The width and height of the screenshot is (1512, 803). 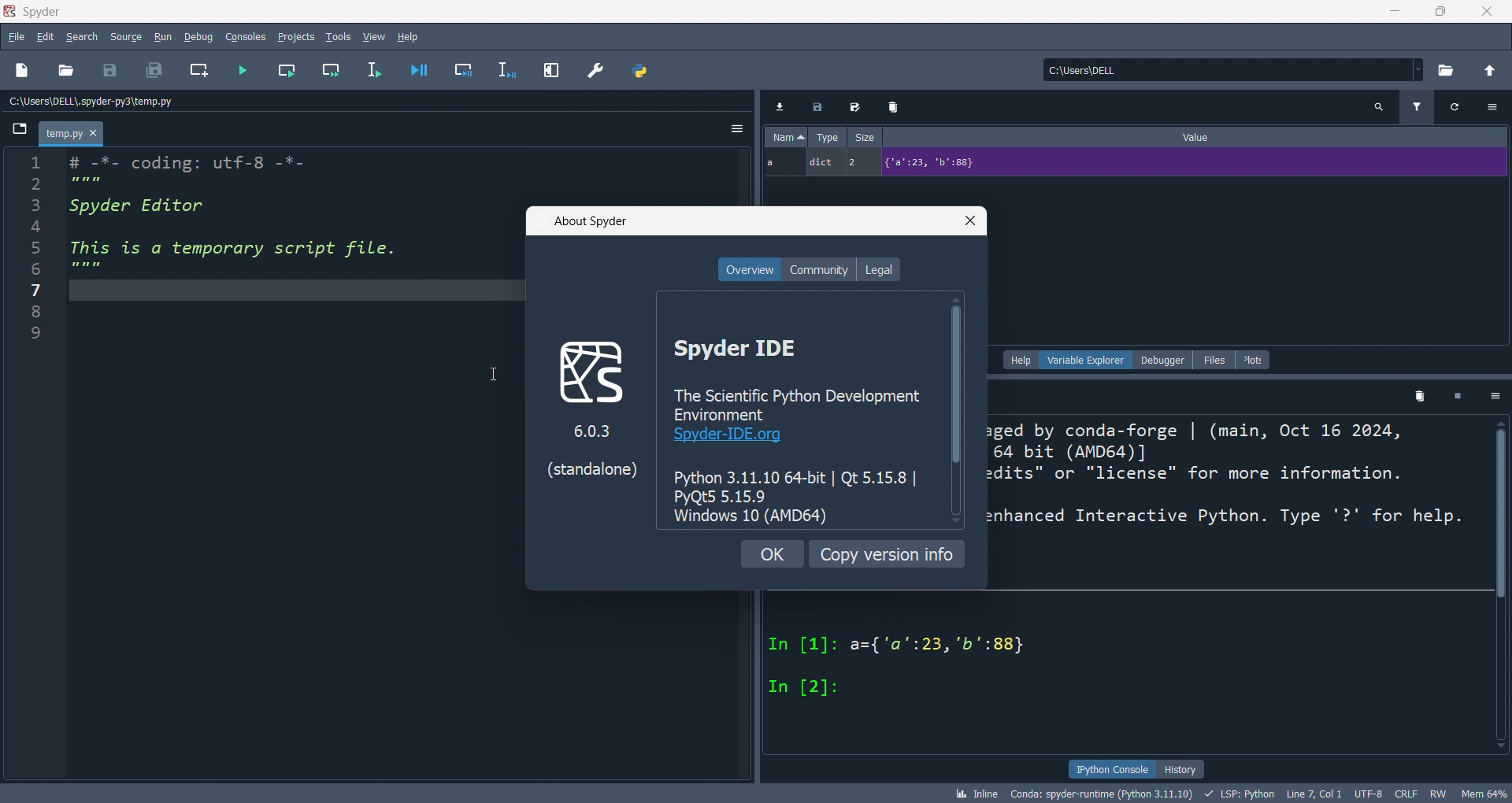 What do you see at coordinates (154, 71) in the screenshot?
I see `save all` at bounding box center [154, 71].